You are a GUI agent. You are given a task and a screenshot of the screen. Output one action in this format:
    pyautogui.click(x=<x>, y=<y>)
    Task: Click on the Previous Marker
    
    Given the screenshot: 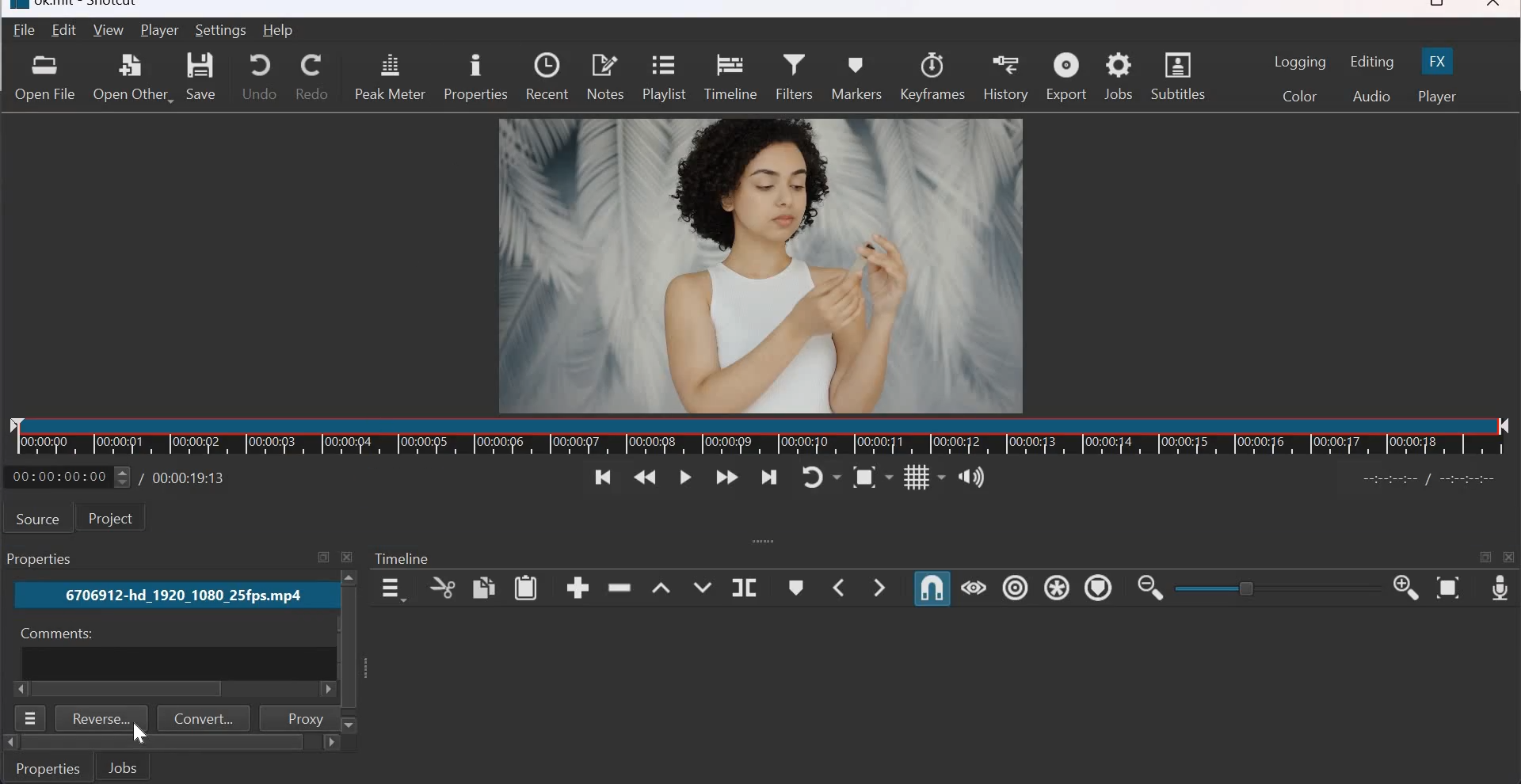 What is the action you would take?
    pyautogui.click(x=840, y=587)
    